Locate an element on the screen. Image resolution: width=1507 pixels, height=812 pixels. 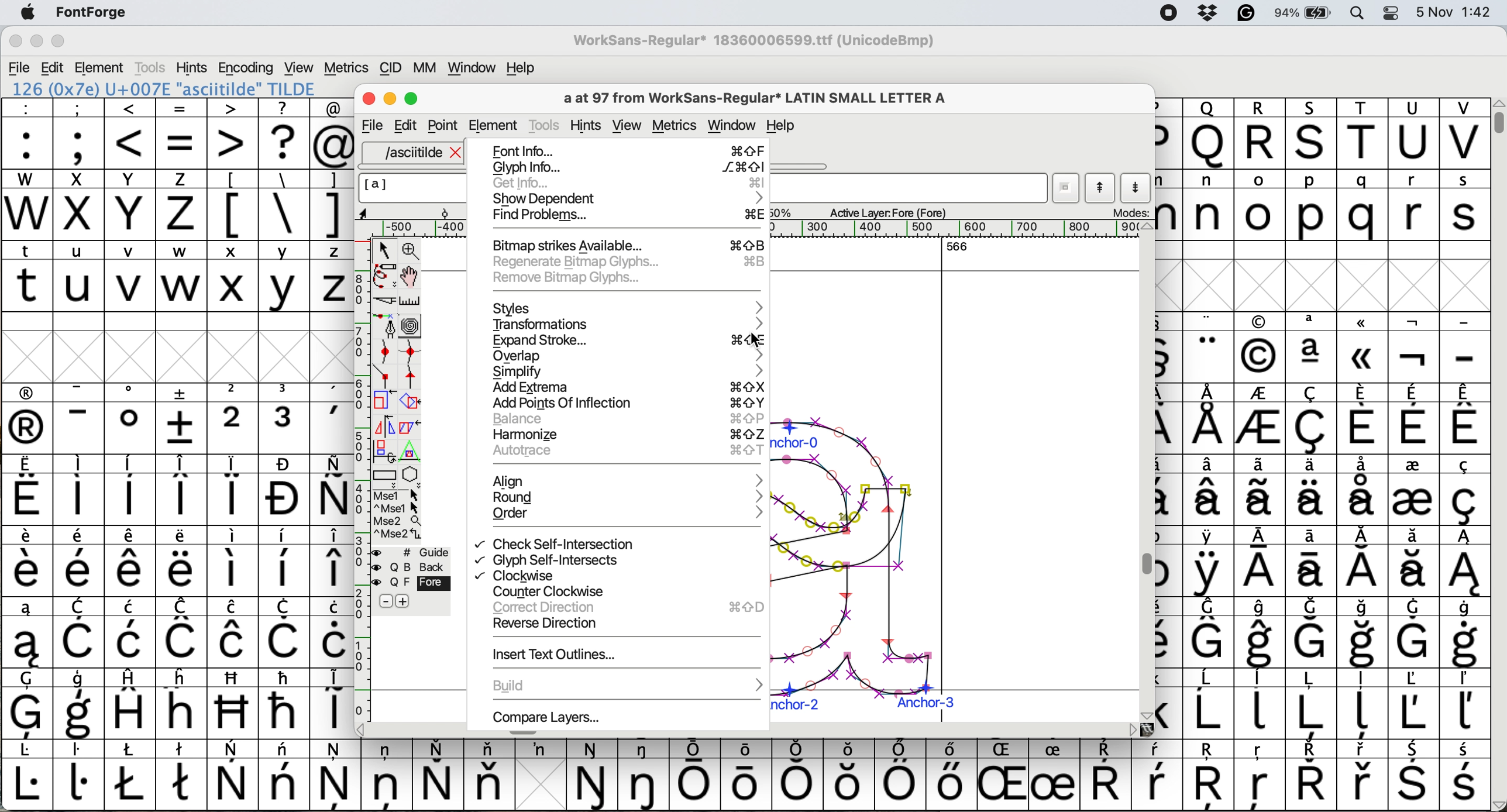
symbol is located at coordinates (1364, 488).